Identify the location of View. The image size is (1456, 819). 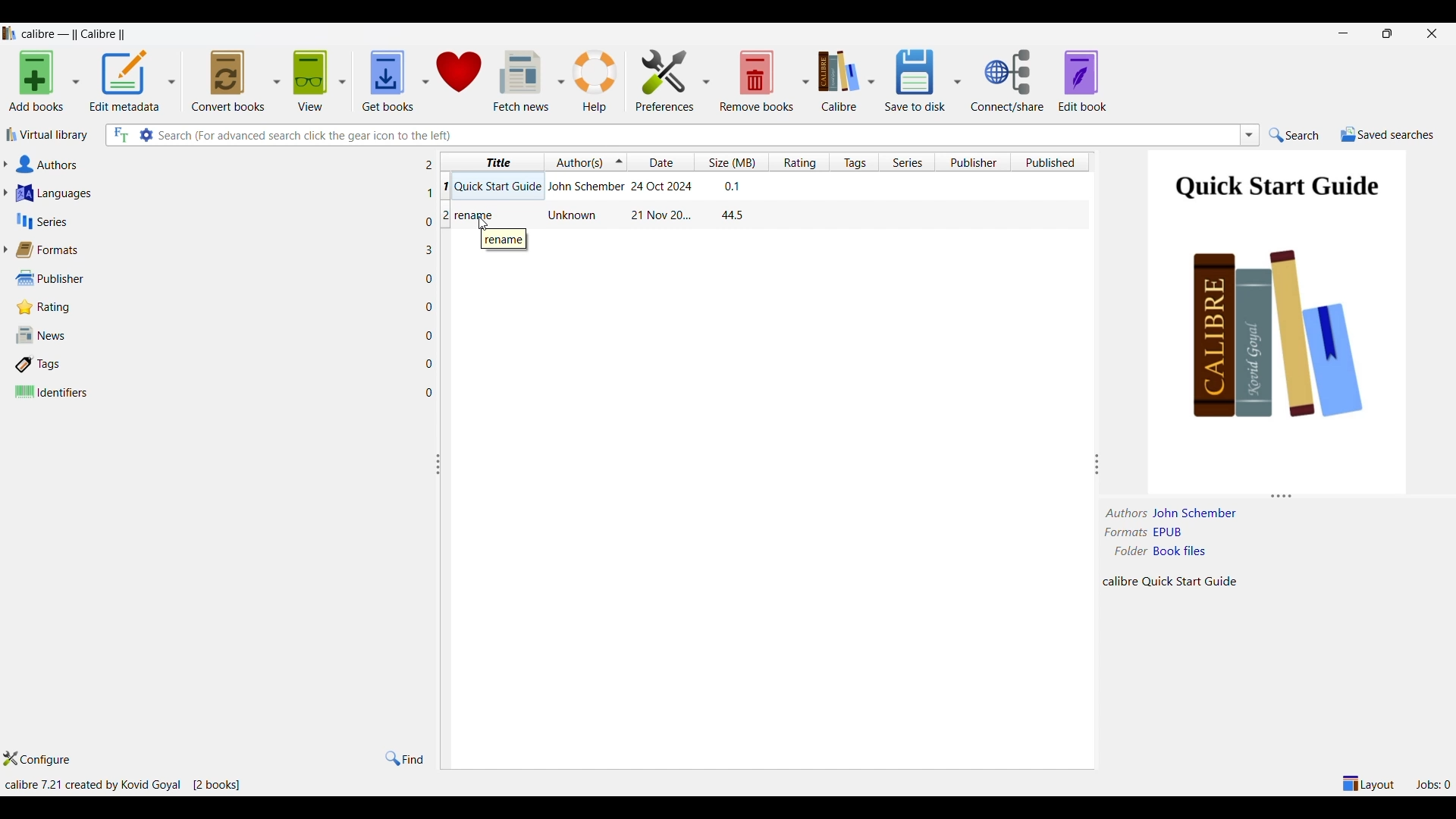
(310, 81).